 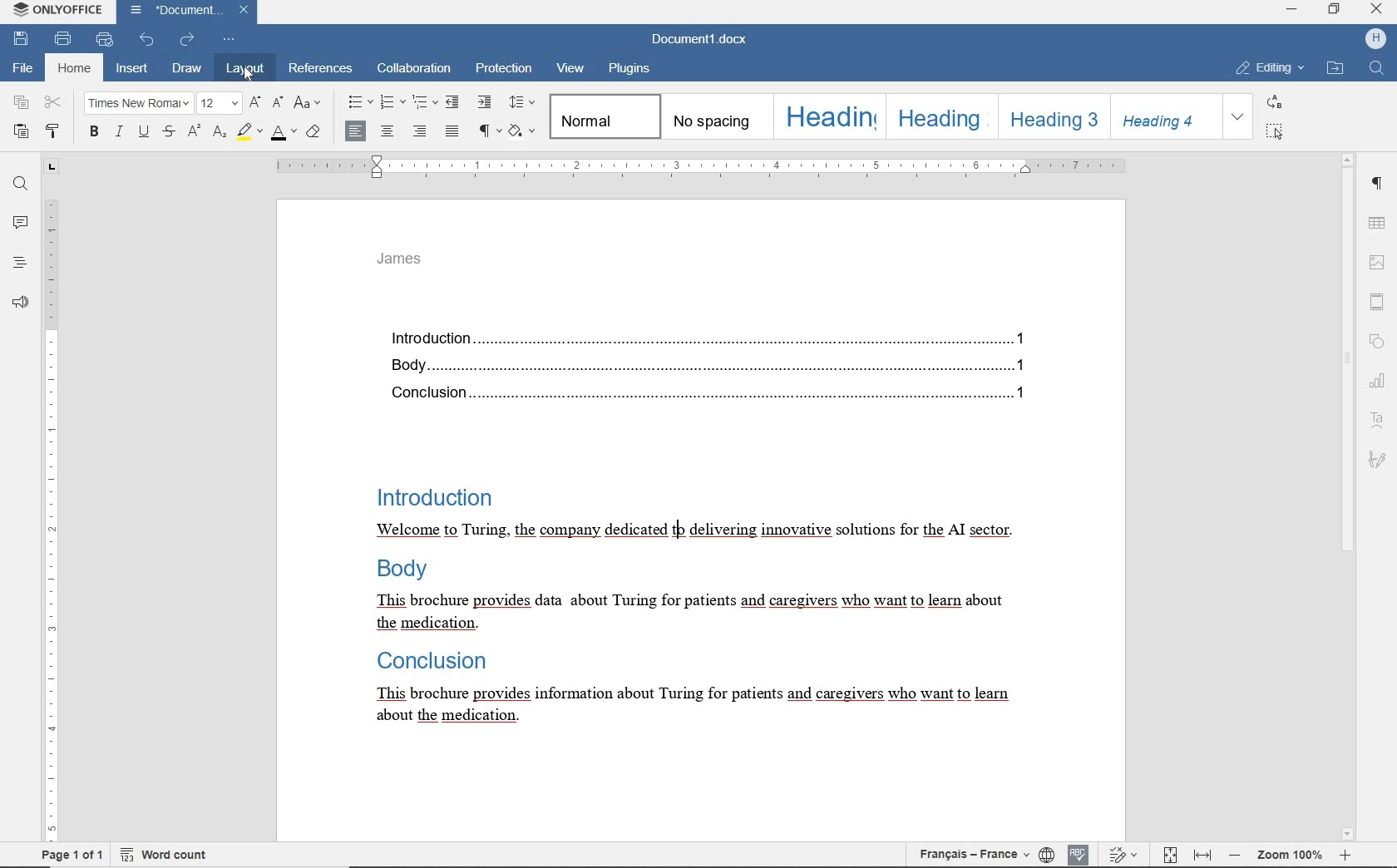 What do you see at coordinates (19, 131) in the screenshot?
I see `paste` at bounding box center [19, 131].